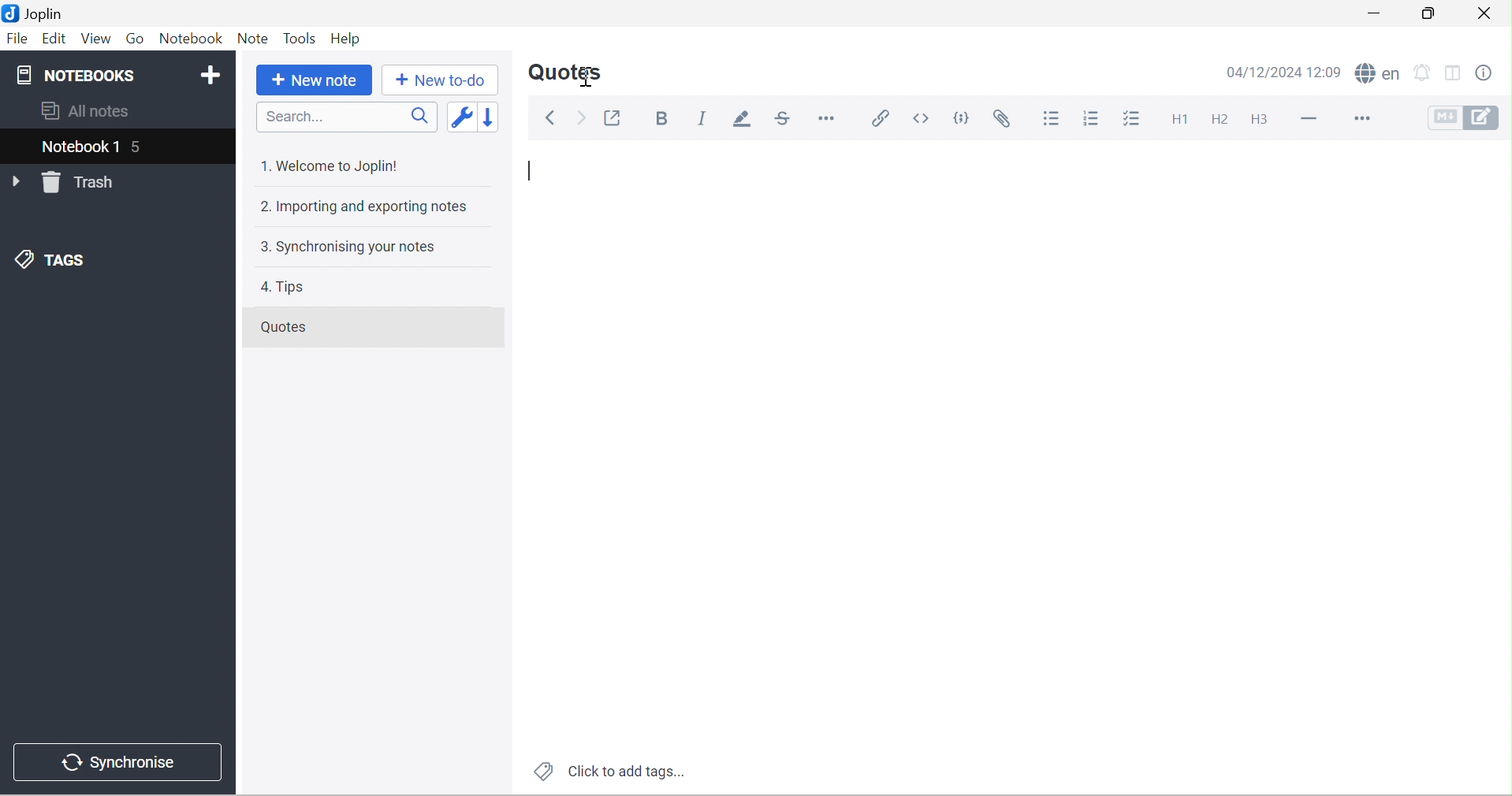  What do you see at coordinates (464, 115) in the screenshot?
I see `Toggle sort order field` at bounding box center [464, 115].